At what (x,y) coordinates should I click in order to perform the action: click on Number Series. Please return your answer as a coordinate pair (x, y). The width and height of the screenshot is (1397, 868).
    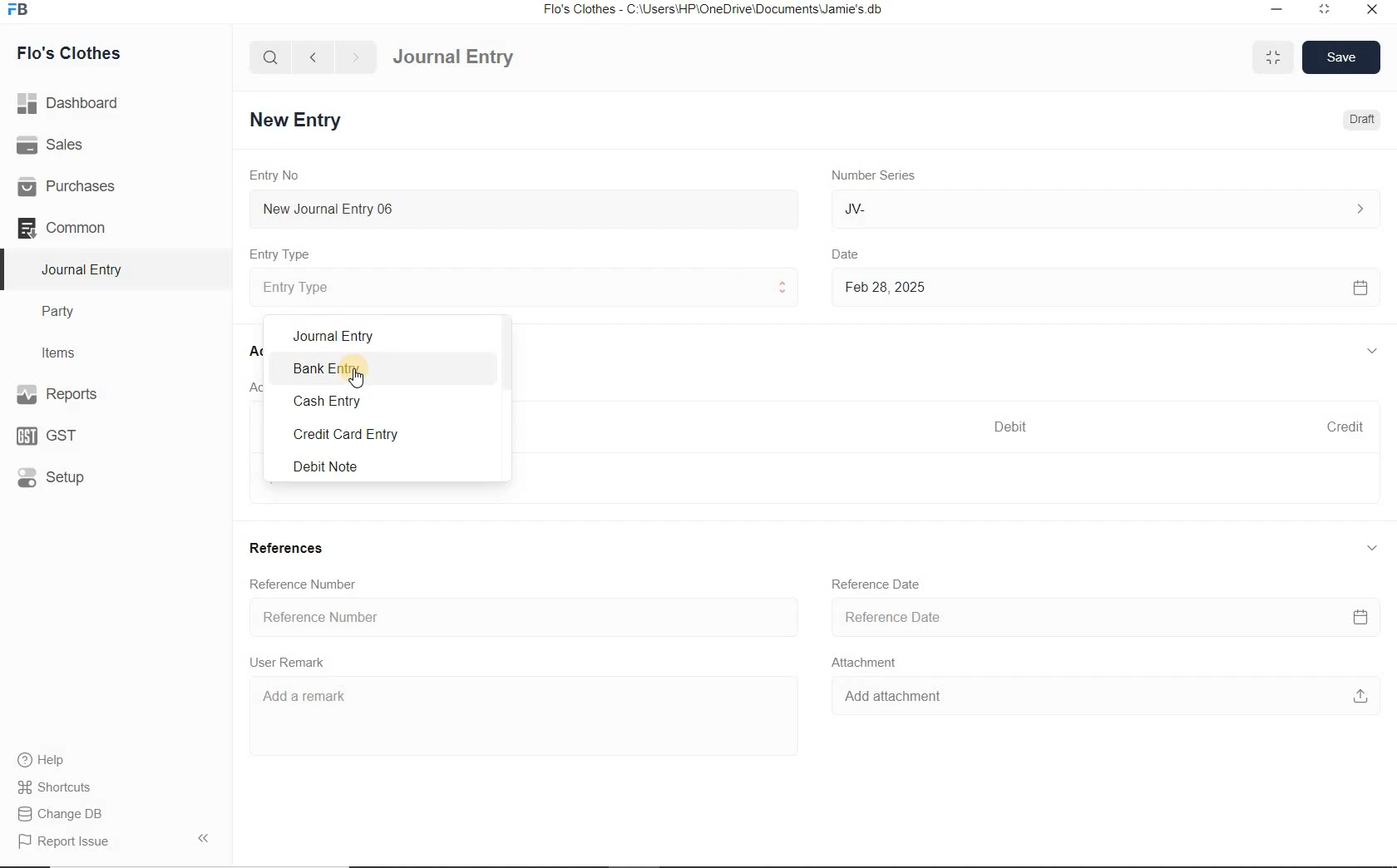
    Looking at the image, I should click on (871, 175).